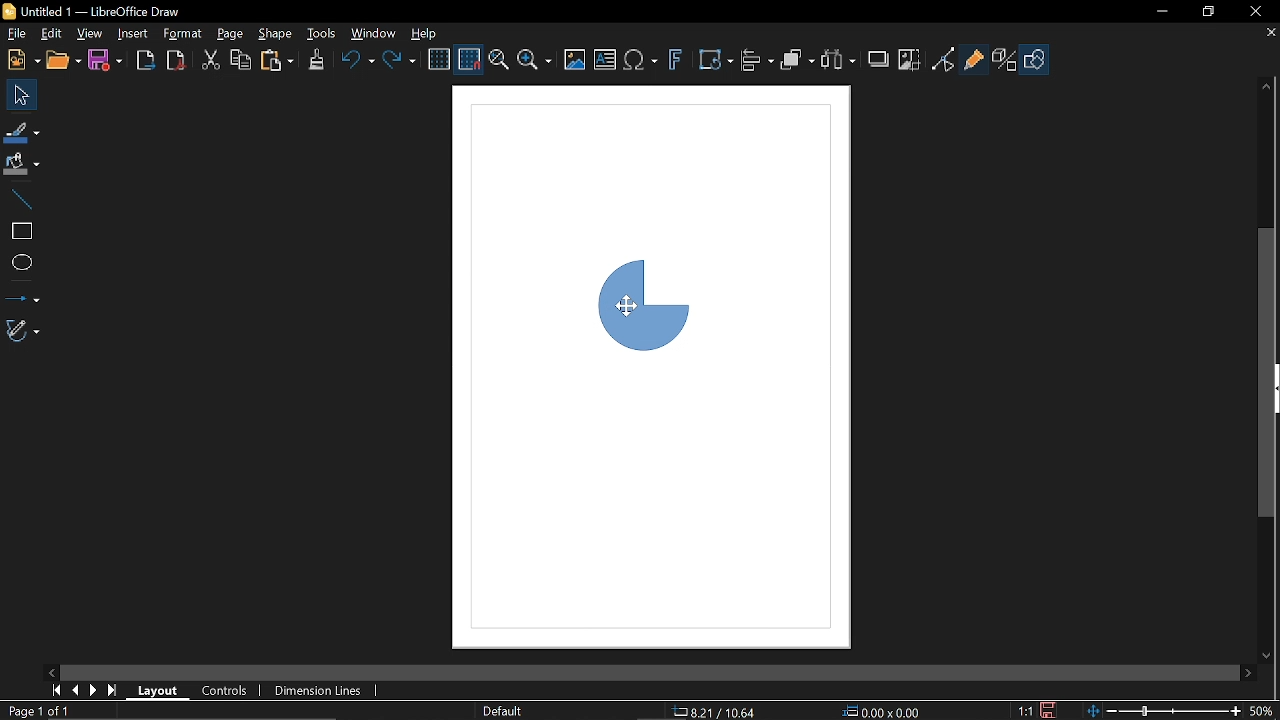  What do you see at coordinates (470, 61) in the screenshot?
I see `Snap to grid` at bounding box center [470, 61].